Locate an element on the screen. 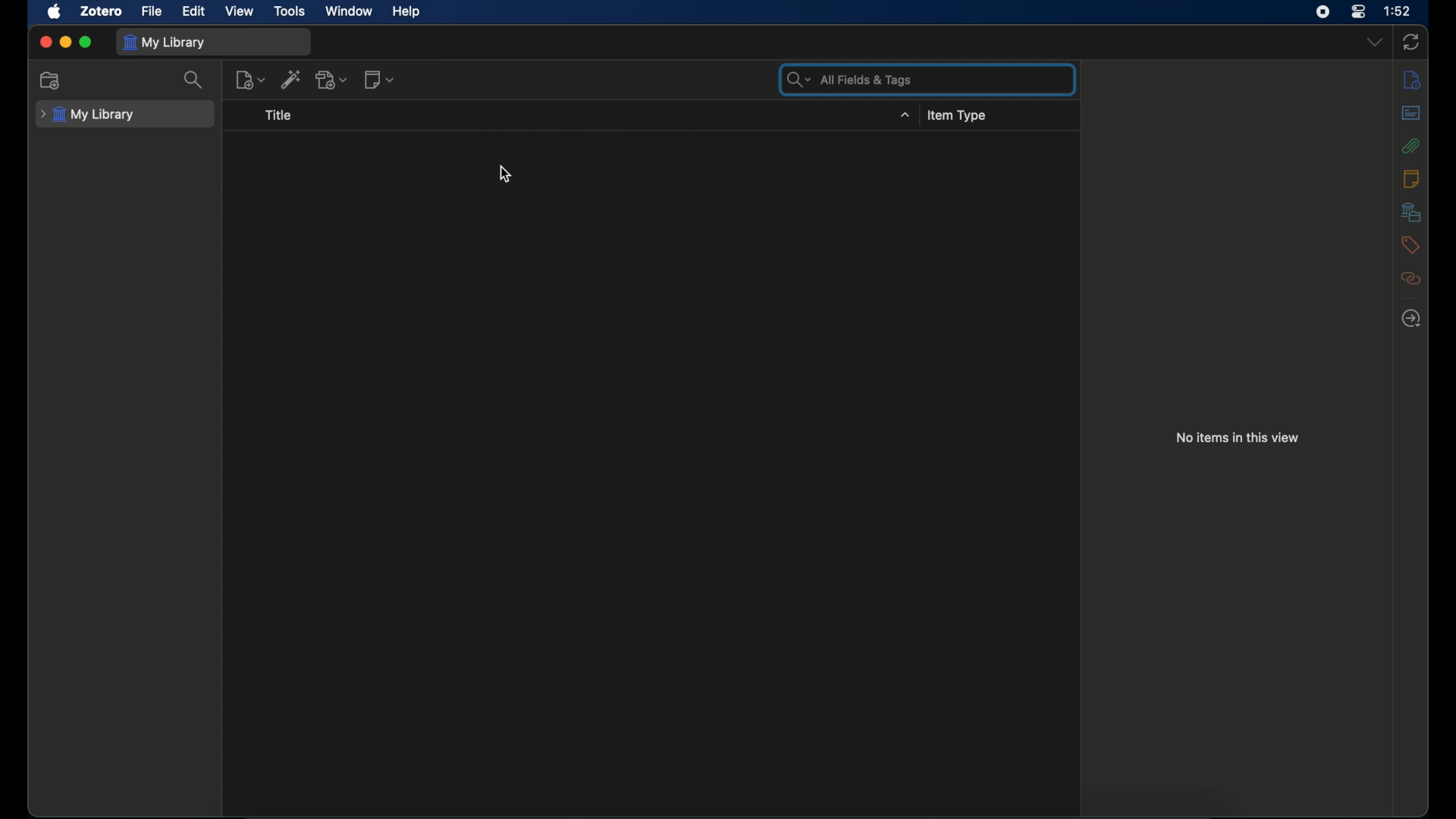 The height and width of the screenshot is (819, 1456). info is located at coordinates (1412, 80).